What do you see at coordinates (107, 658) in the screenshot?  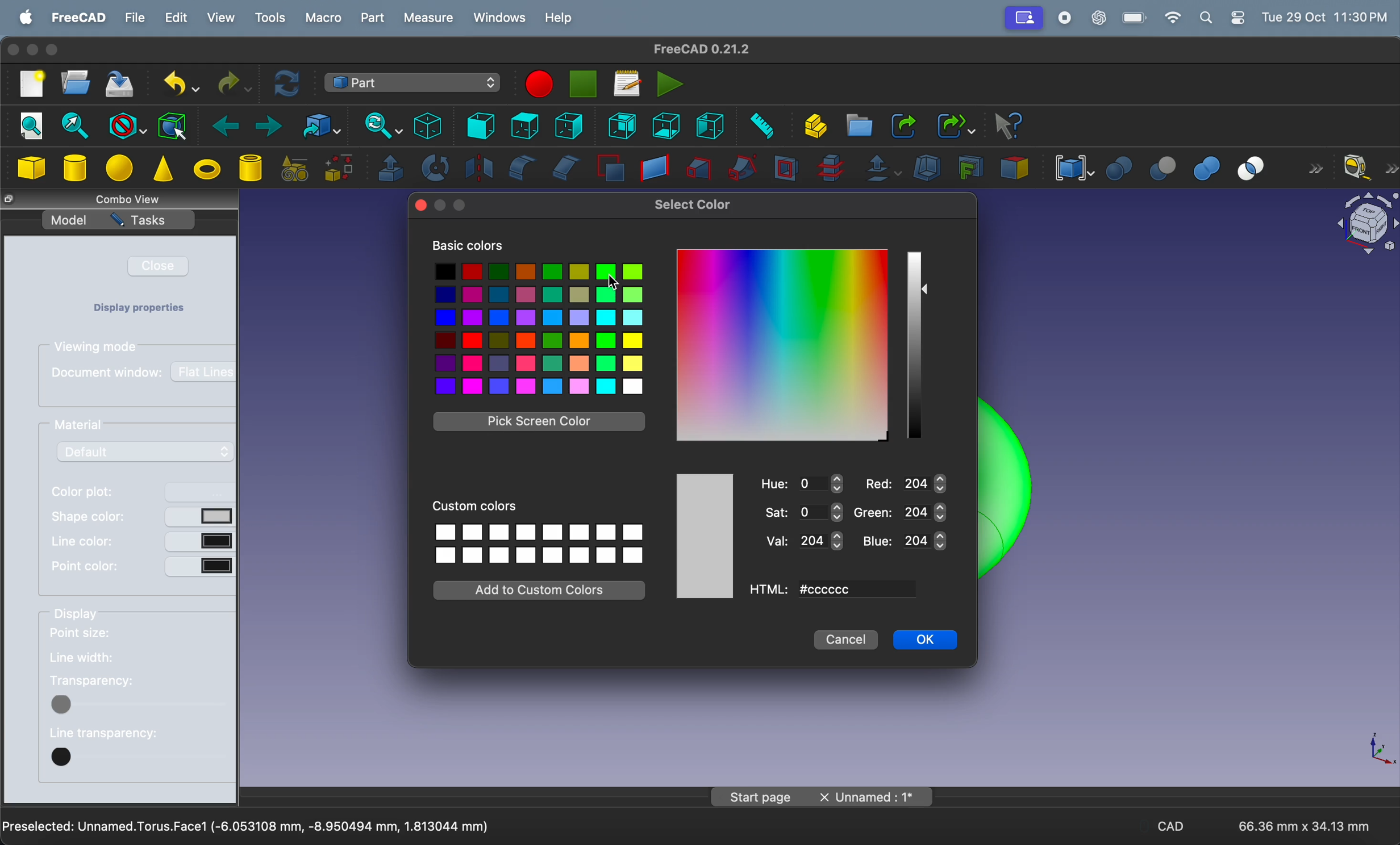 I see `line width` at bounding box center [107, 658].